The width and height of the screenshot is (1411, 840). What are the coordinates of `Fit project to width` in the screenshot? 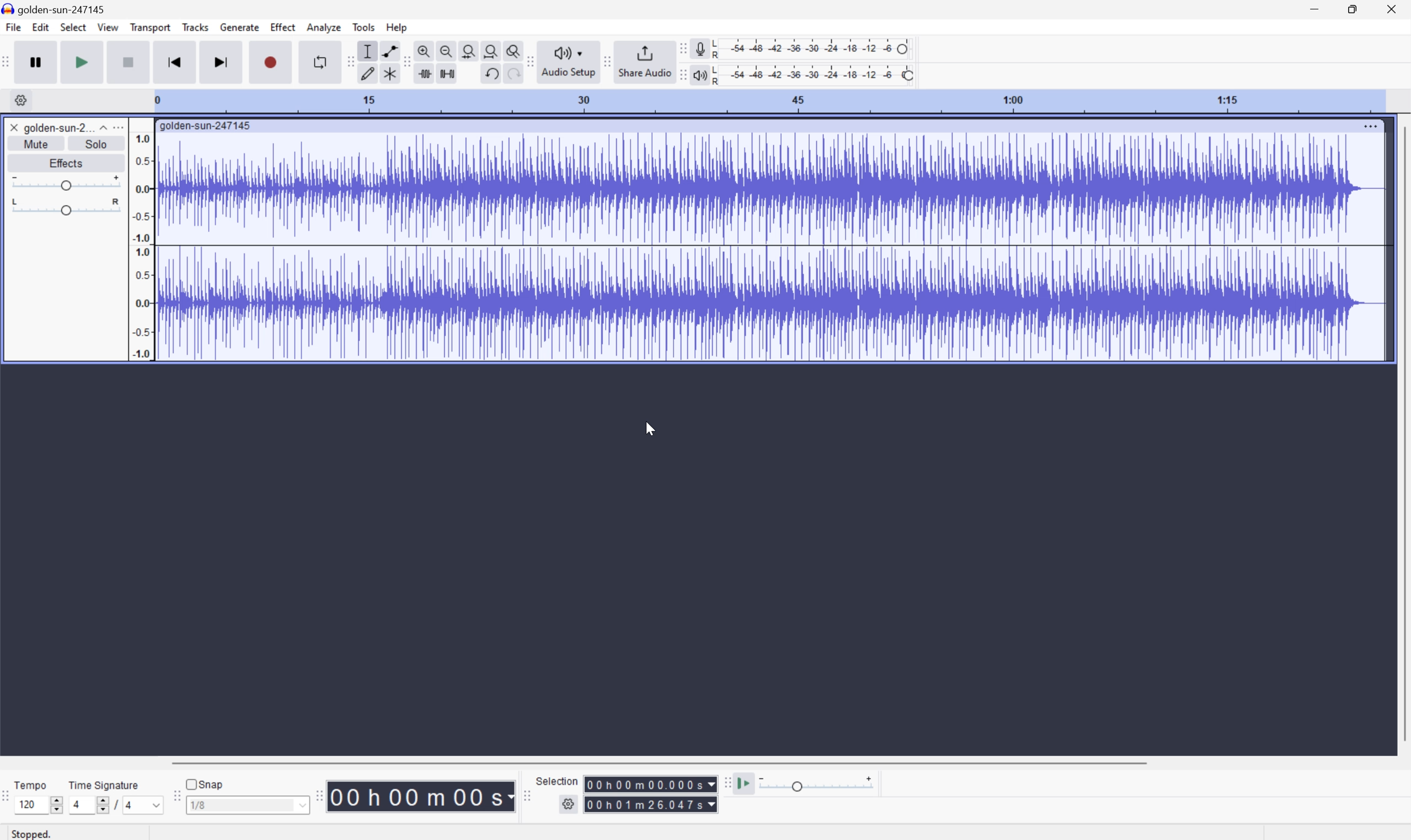 It's located at (490, 49).